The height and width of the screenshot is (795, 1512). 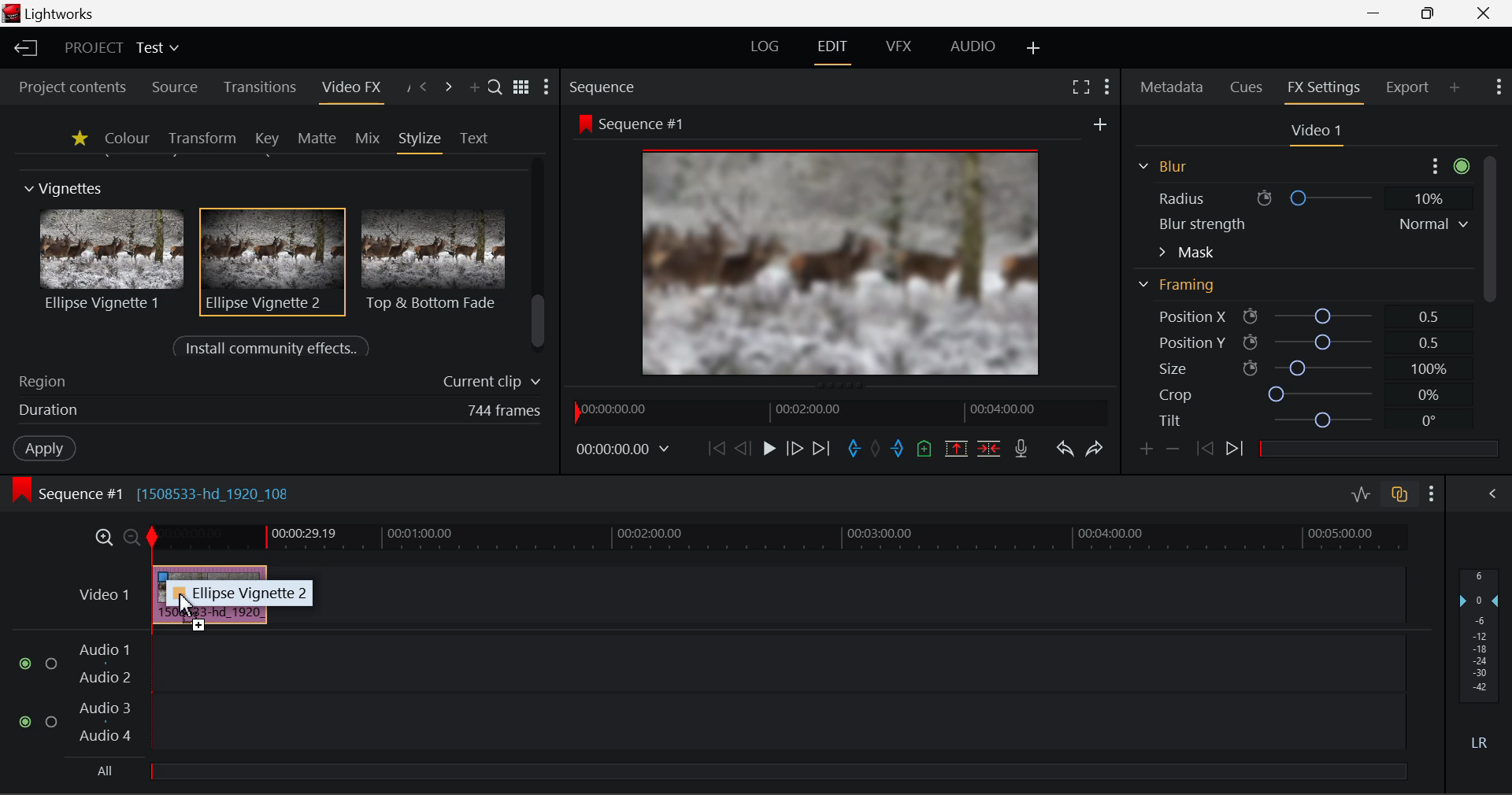 I want to click on Sequence #1 Edit Timeline, so click(x=157, y=492).